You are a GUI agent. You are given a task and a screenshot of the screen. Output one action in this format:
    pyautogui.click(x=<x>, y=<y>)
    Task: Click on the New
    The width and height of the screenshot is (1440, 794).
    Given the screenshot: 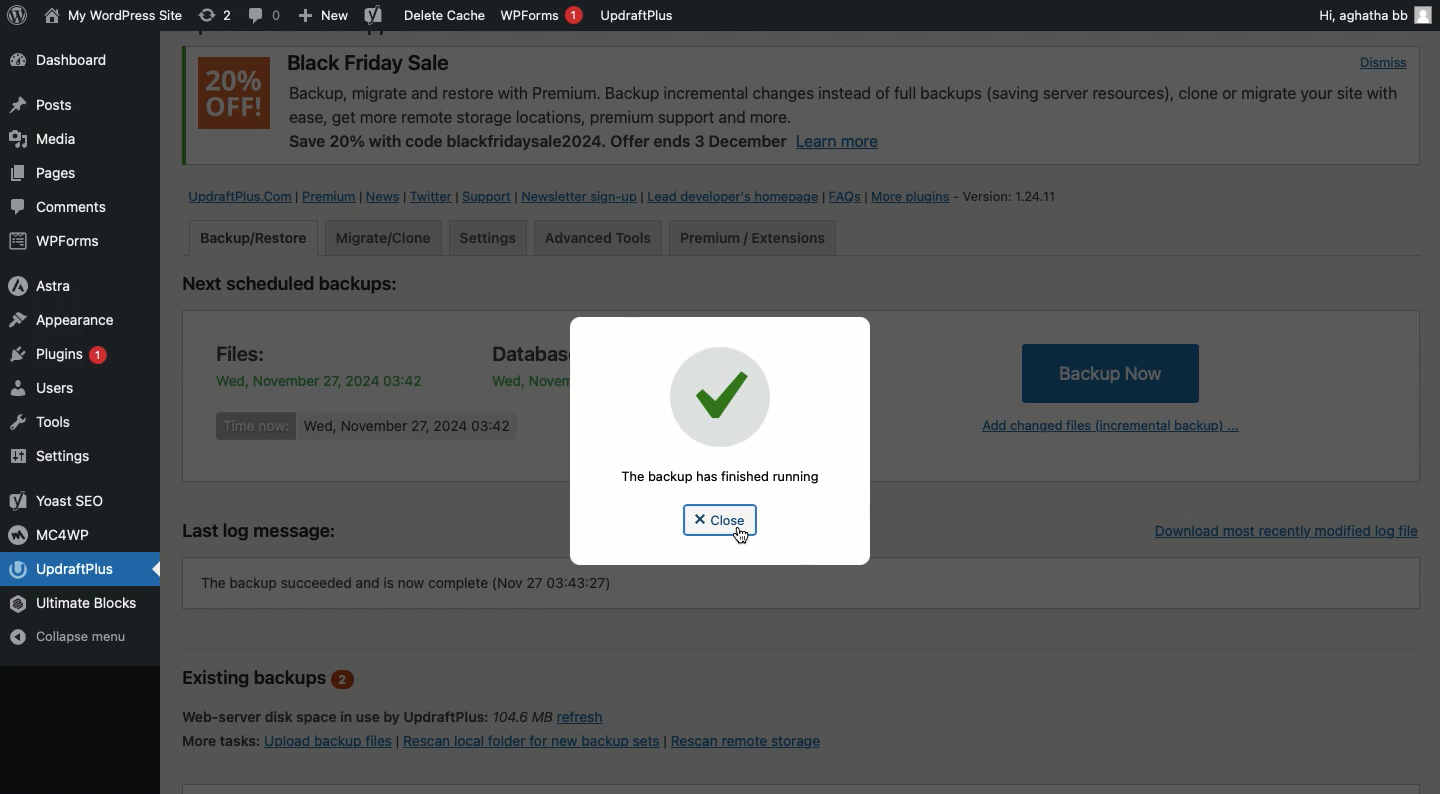 What is the action you would take?
    pyautogui.click(x=324, y=17)
    